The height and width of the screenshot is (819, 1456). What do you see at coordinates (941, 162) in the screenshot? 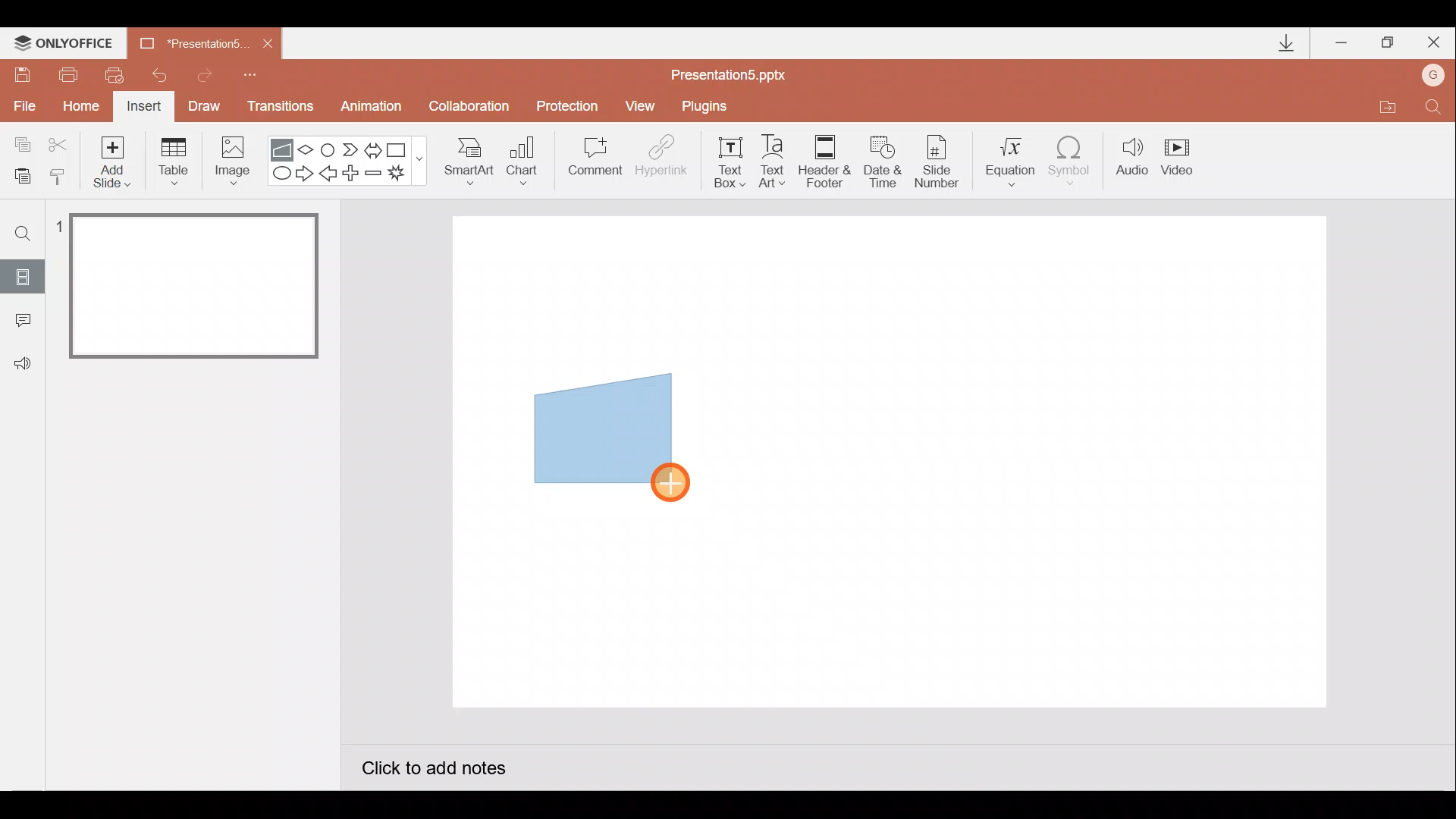
I see `Slide number` at bounding box center [941, 162].